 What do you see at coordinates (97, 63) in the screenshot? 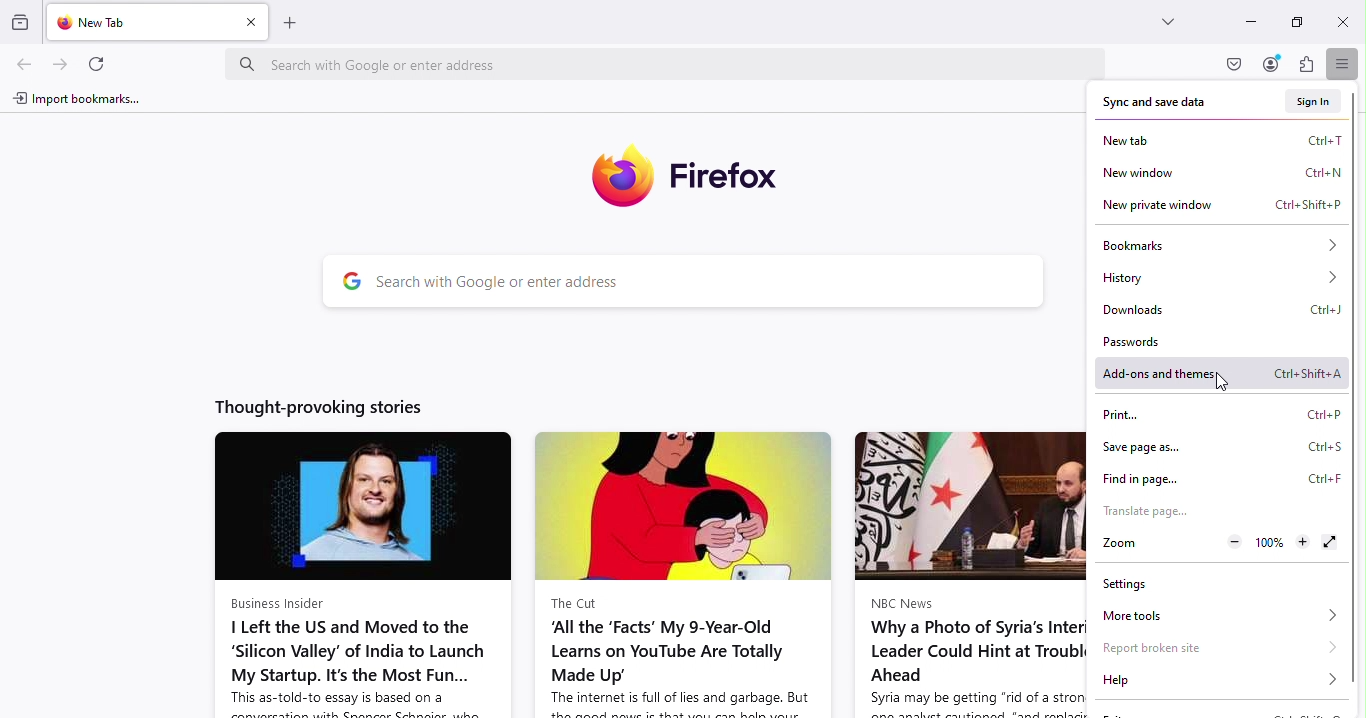
I see `Reload current page` at bounding box center [97, 63].